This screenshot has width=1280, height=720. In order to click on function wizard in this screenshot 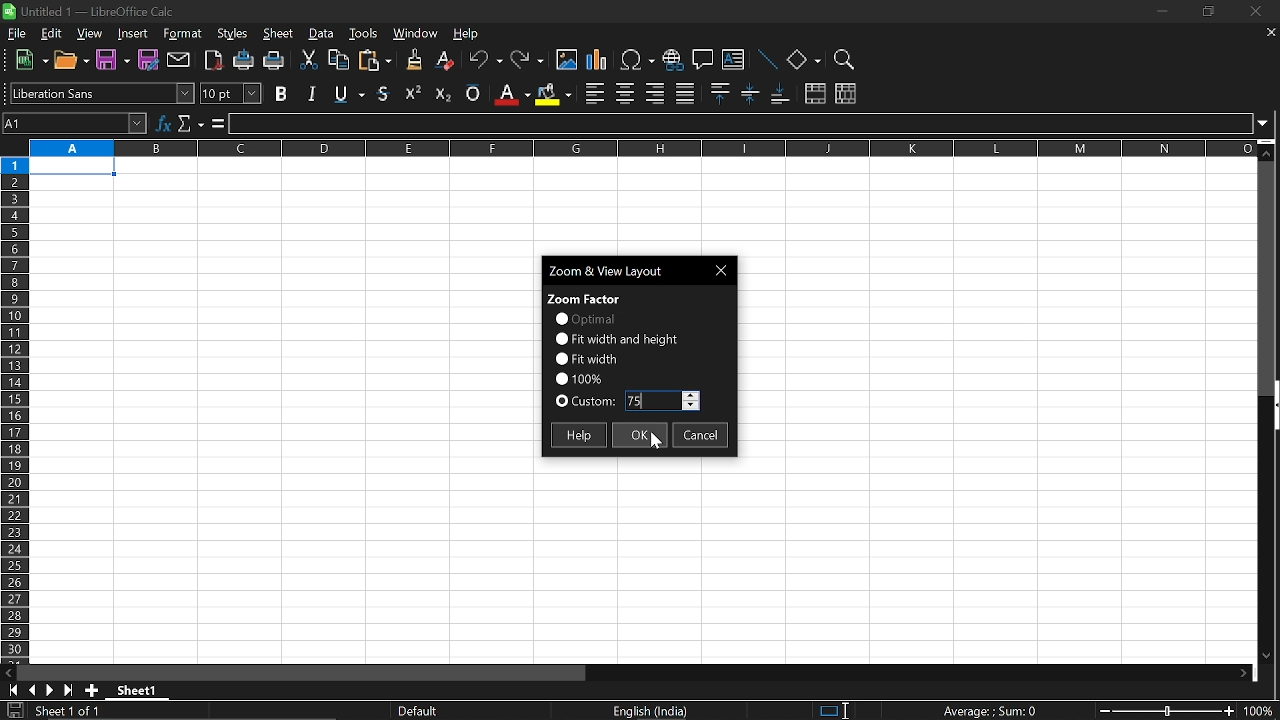, I will do `click(165, 121)`.